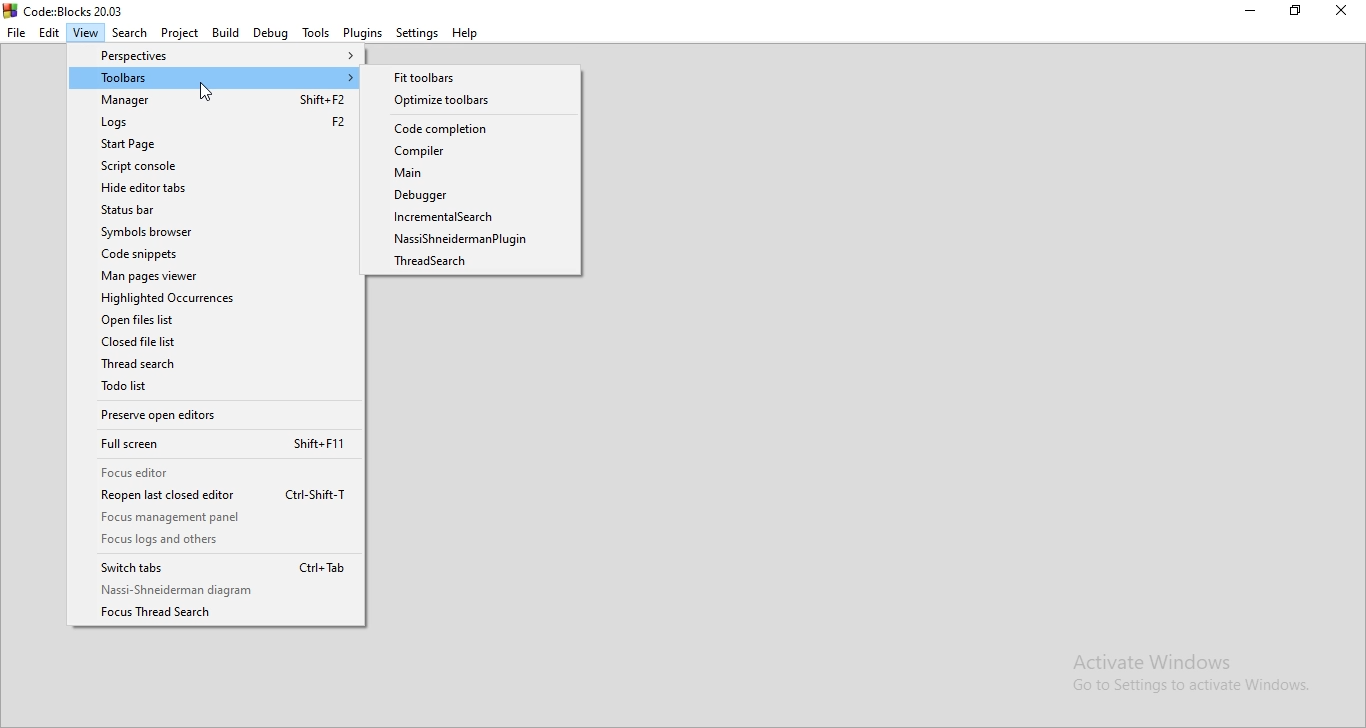 Image resolution: width=1366 pixels, height=728 pixels. What do you see at coordinates (216, 389) in the screenshot?
I see `Todo list` at bounding box center [216, 389].